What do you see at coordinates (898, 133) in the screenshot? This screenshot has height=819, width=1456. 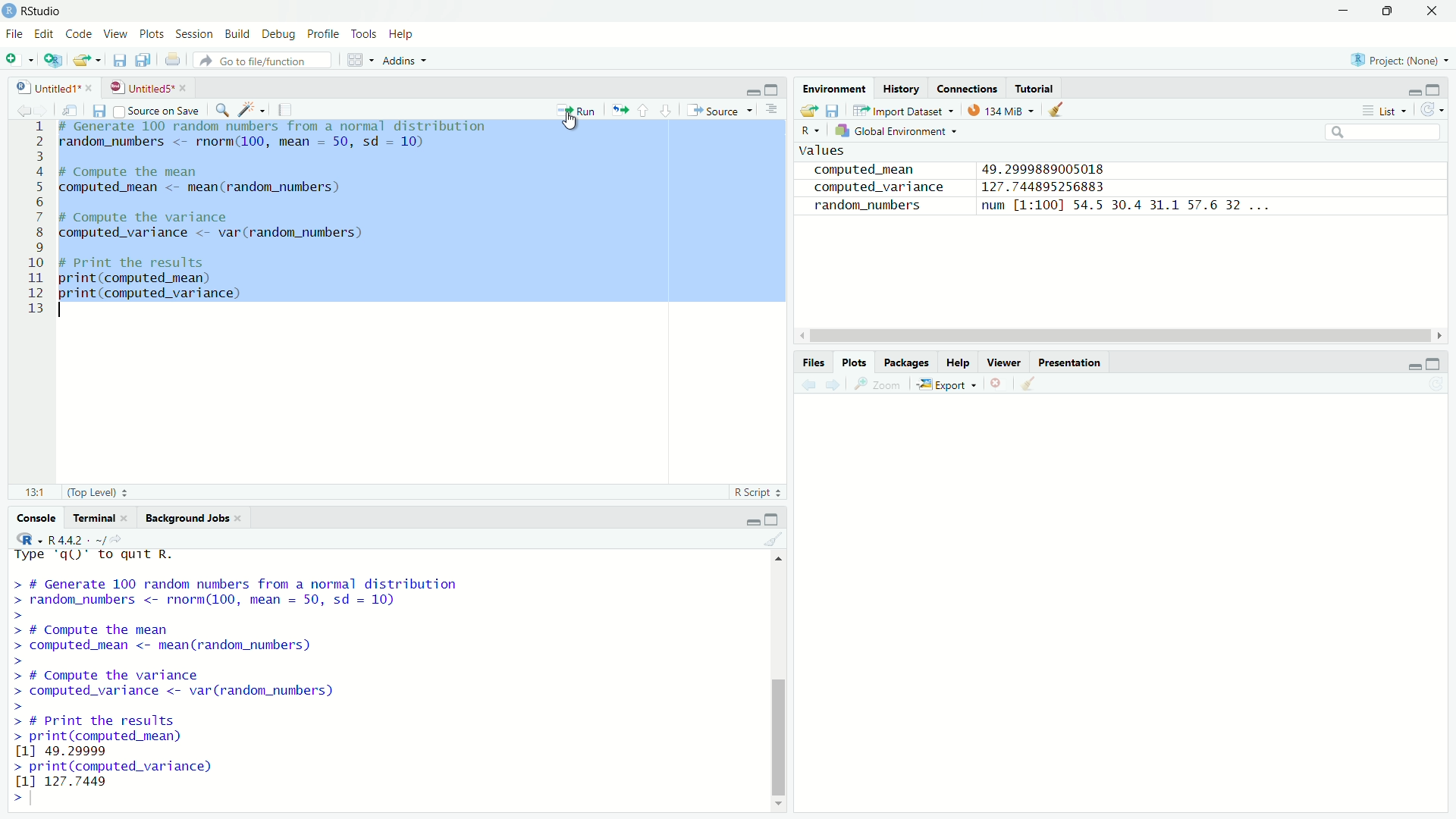 I see `global environment` at bounding box center [898, 133].